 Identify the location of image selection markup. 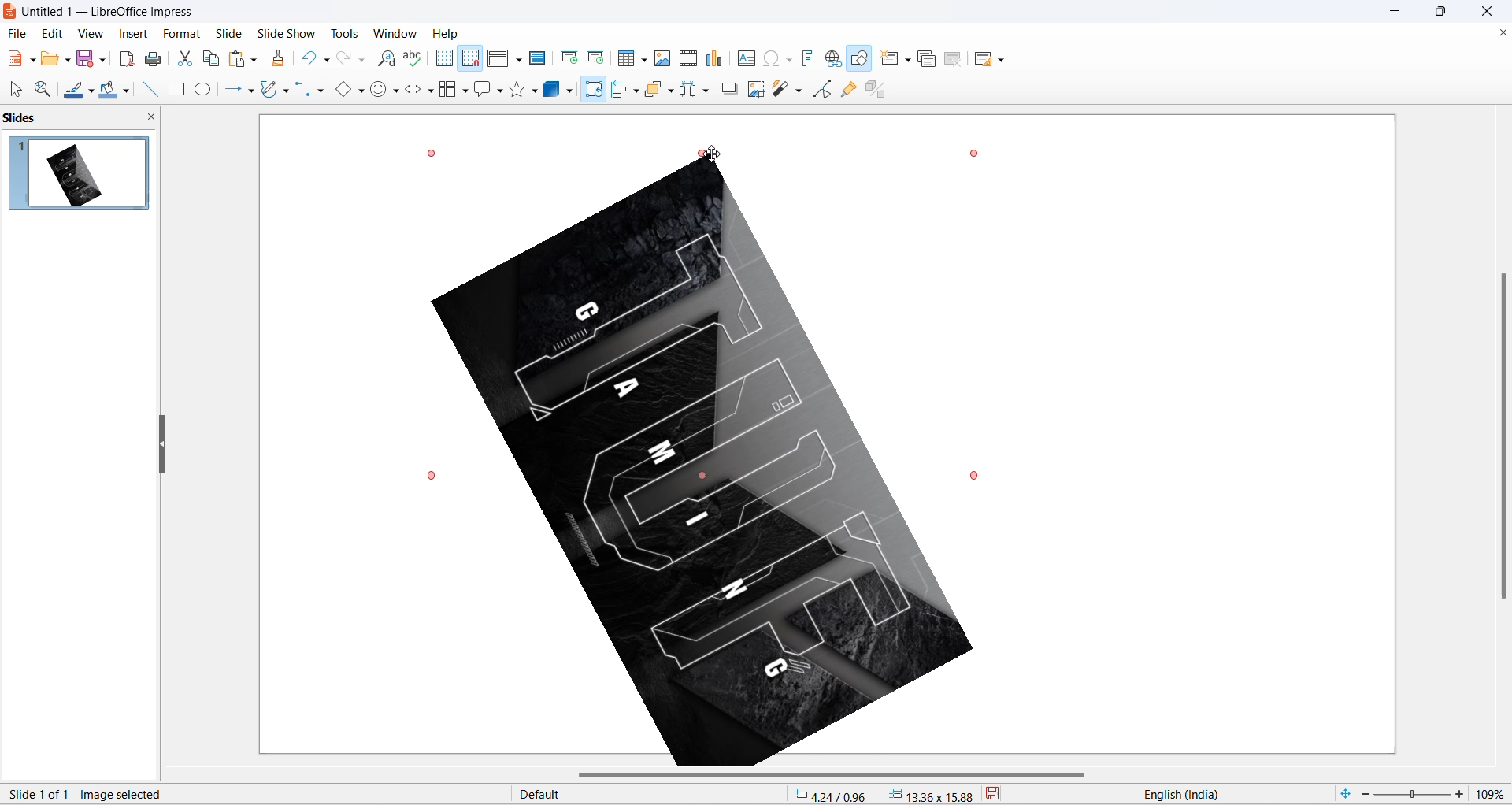
(434, 476).